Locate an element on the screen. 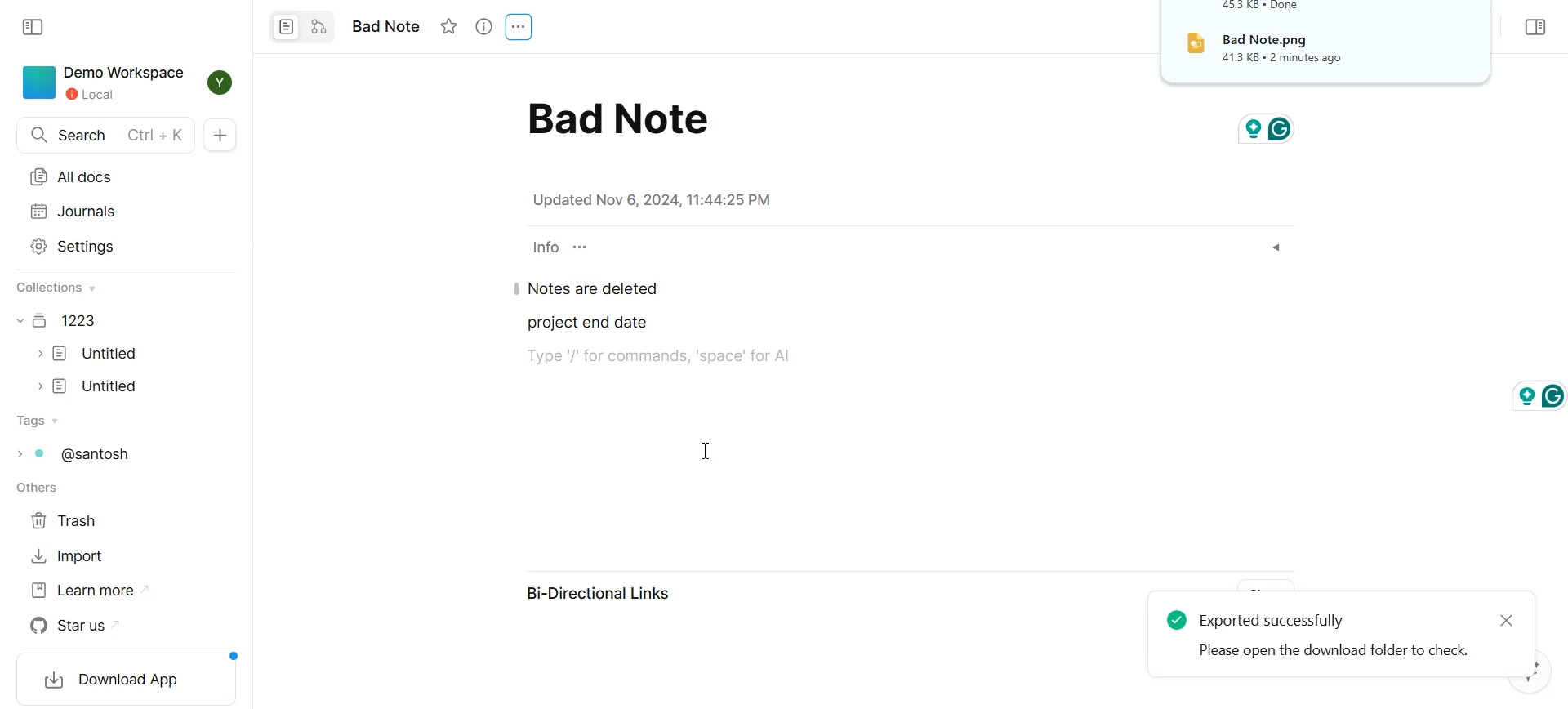 Image resolution: width=1568 pixels, height=709 pixels. note details is located at coordinates (647, 199).